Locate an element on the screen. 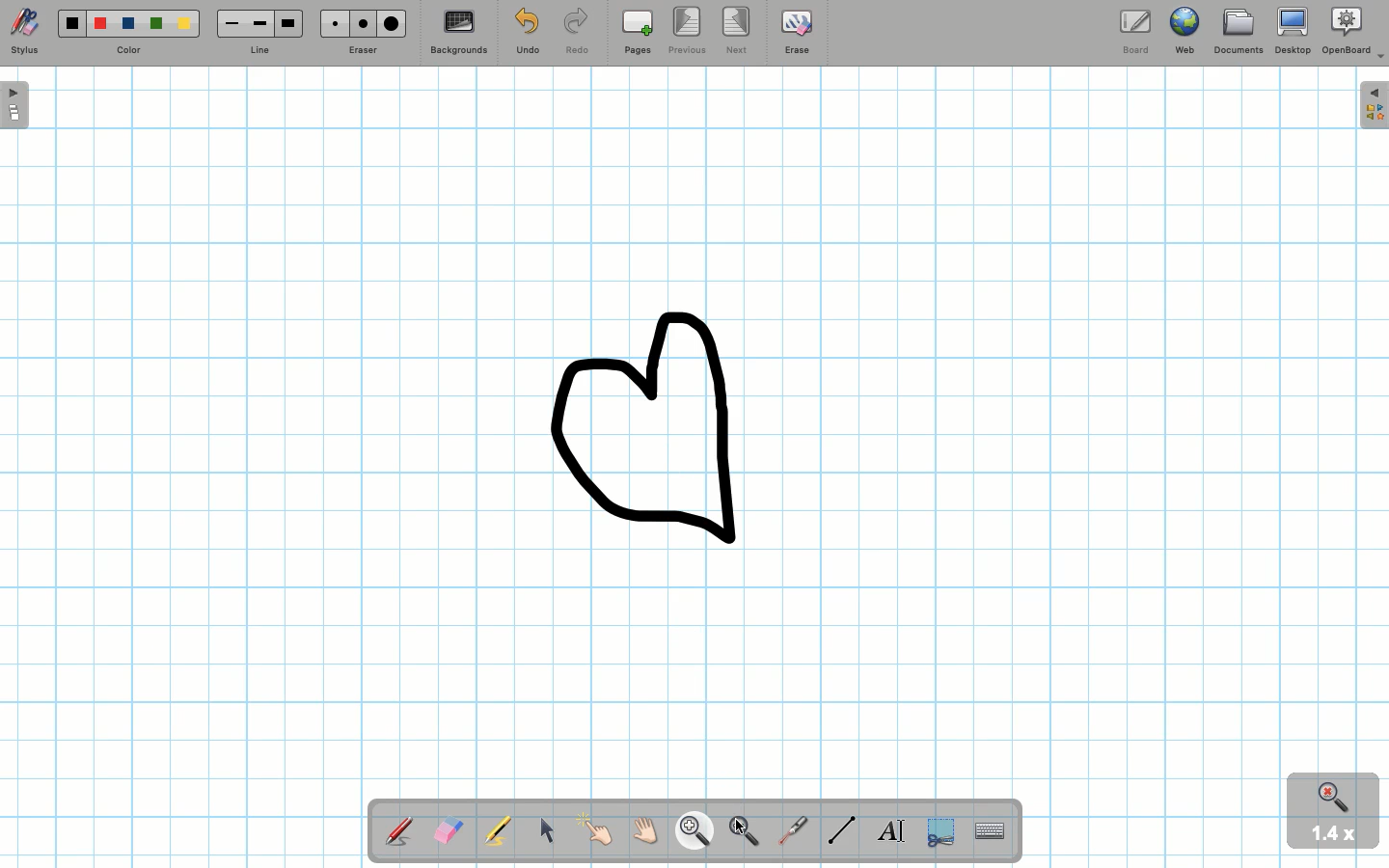 The width and height of the screenshot is (1389, 868). Grab is located at coordinates (646, 830).